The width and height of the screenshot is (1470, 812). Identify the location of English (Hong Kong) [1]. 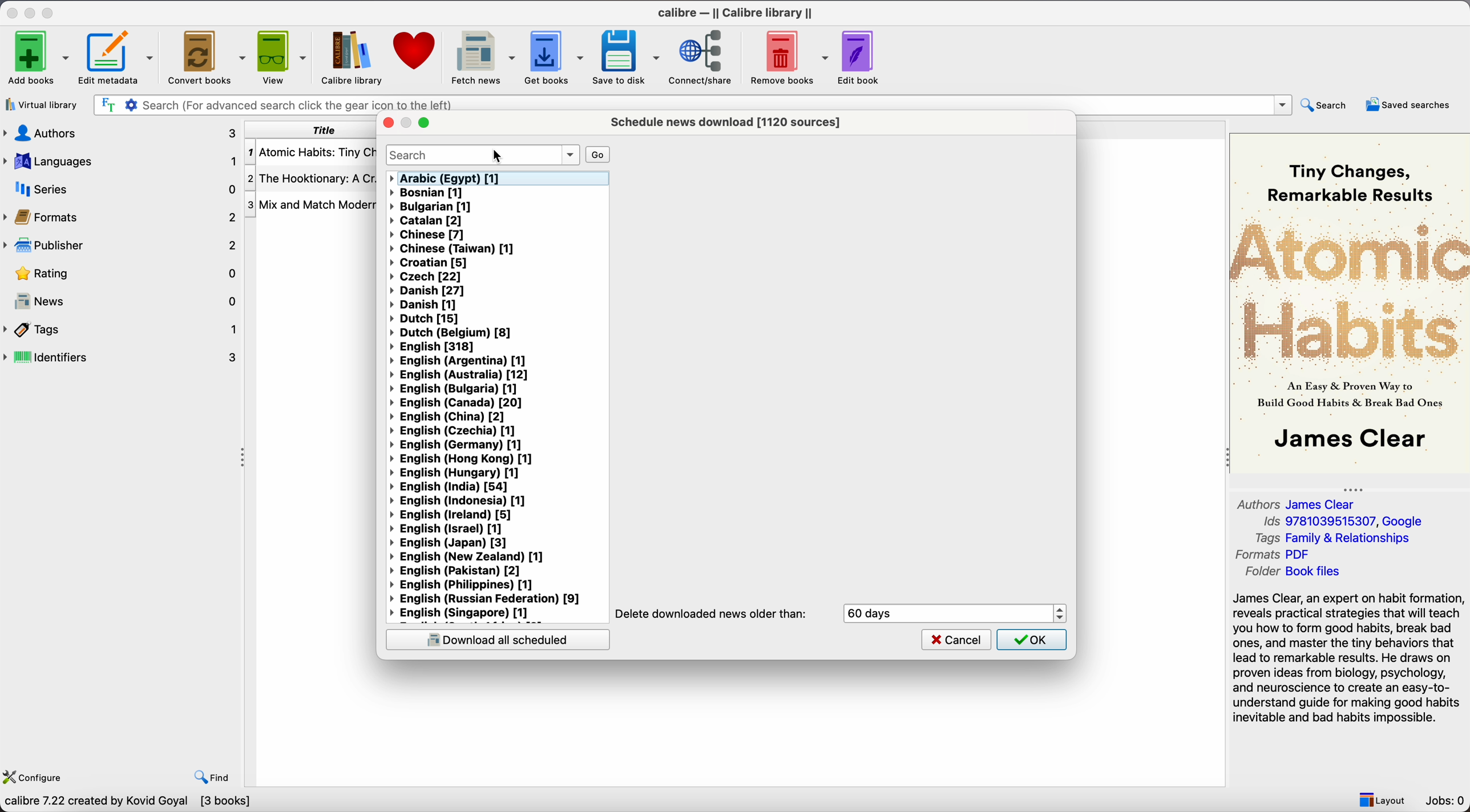
(462, 459).